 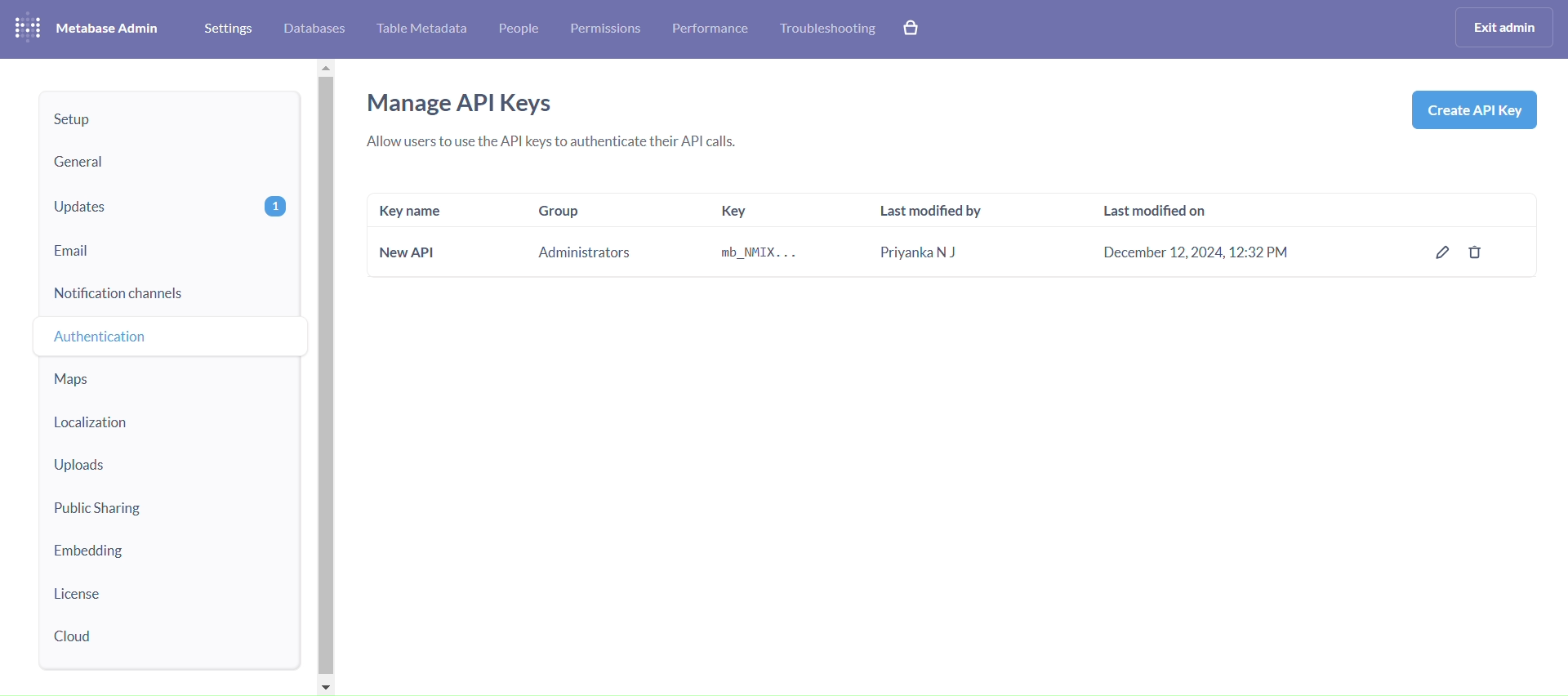 I want to click on last modified by, so click(x=941, y=236).